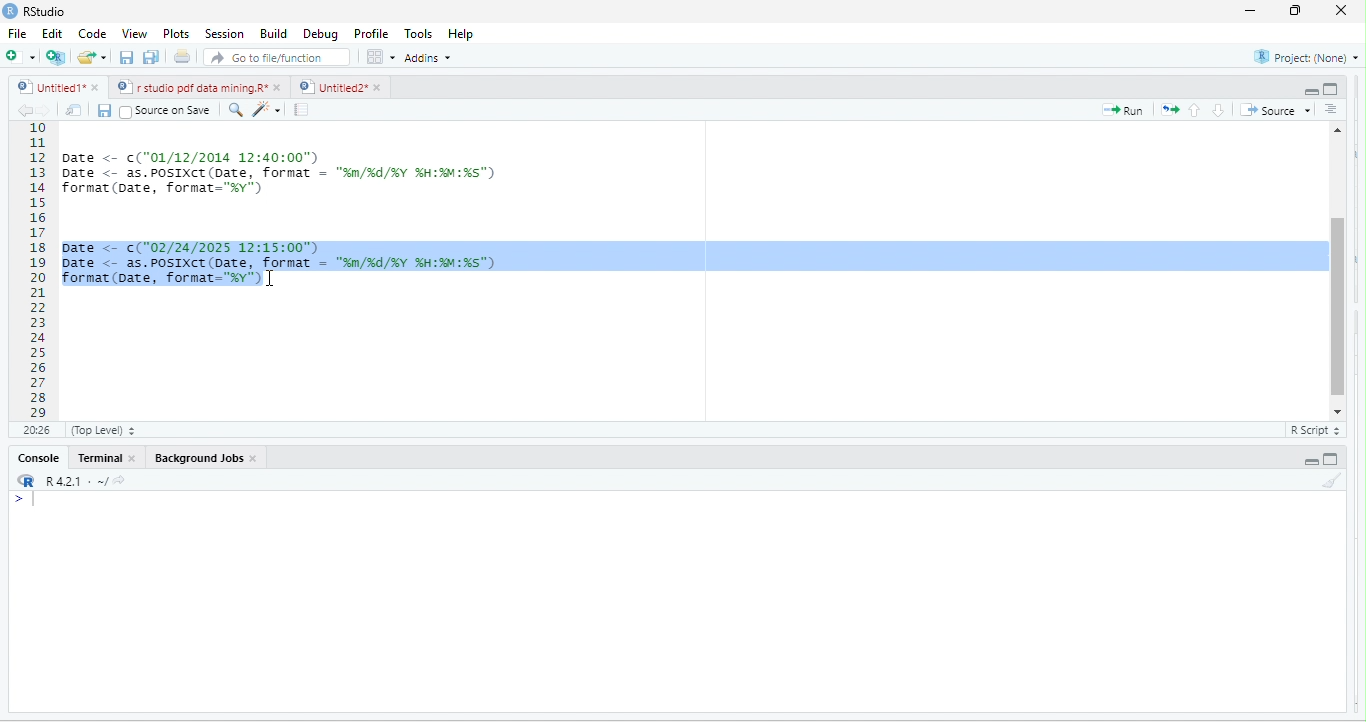 The height and width of the screenshot is (722, 1366). What do you see at coordinates (1339, 128) in the screenshot?
I see `scroll up` at bounding box center [1339, 128].